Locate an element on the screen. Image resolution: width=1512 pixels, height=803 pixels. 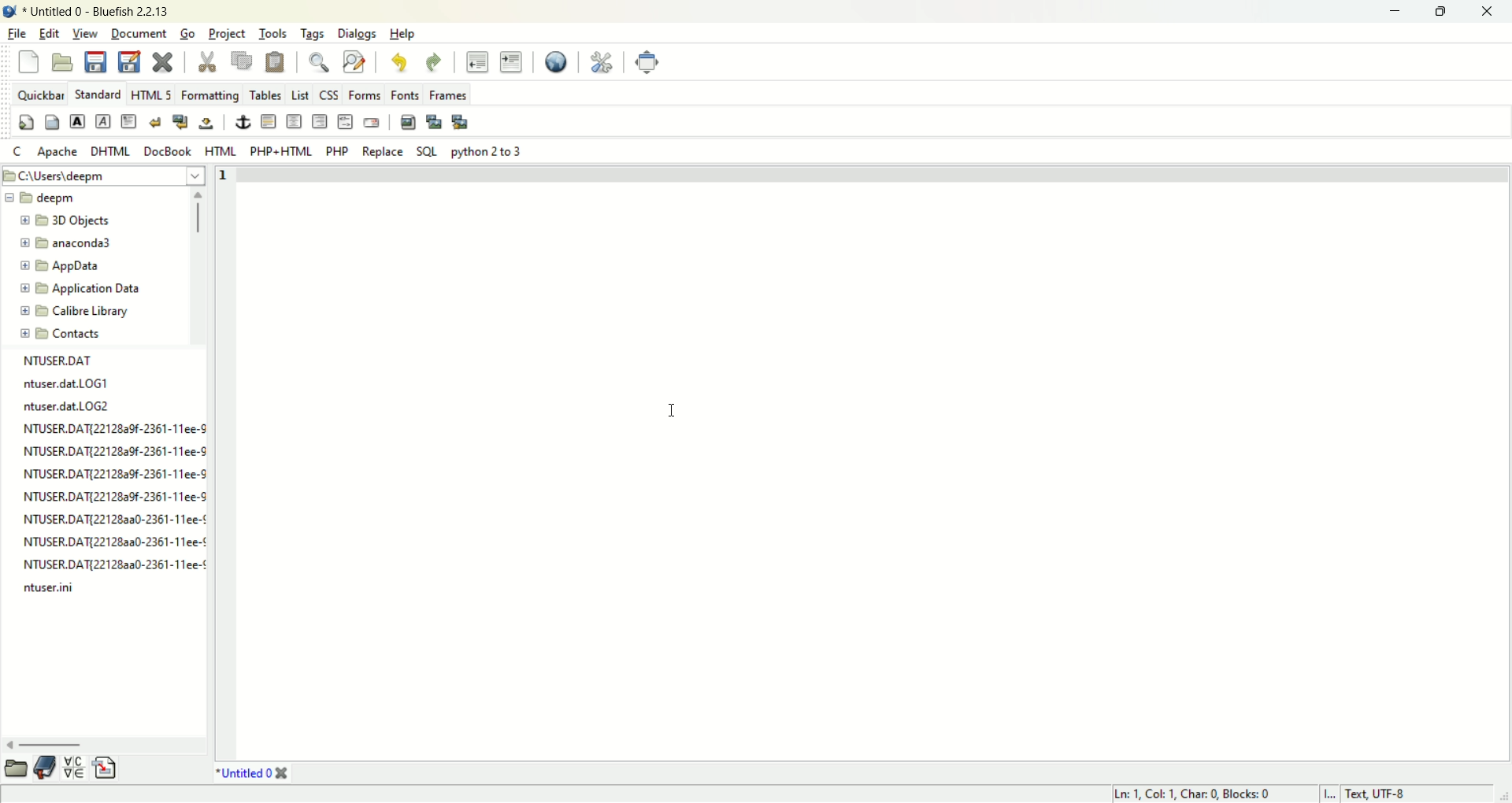
minimize is located at coordinates (1390, 10).